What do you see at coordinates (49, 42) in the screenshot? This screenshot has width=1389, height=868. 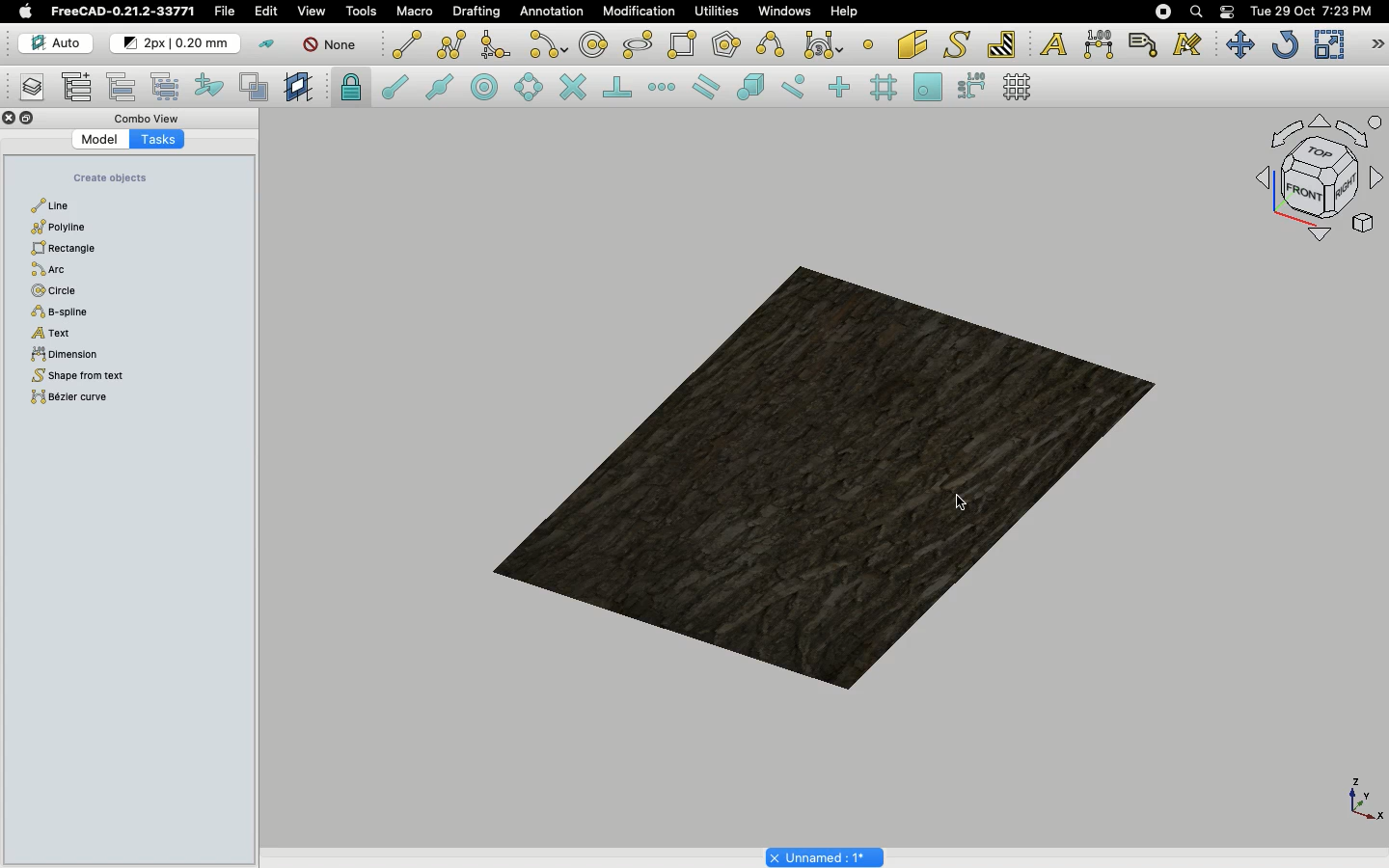 I see `Auto` at bounding box center [49, 42].